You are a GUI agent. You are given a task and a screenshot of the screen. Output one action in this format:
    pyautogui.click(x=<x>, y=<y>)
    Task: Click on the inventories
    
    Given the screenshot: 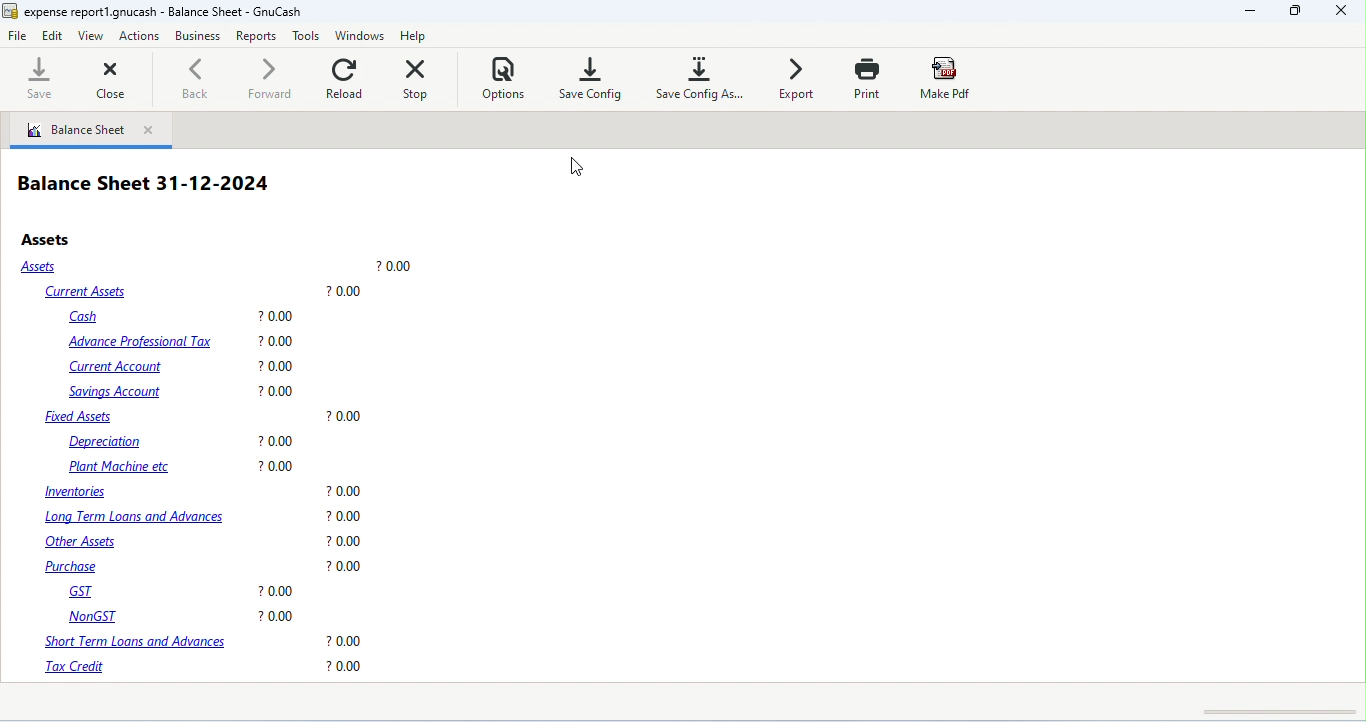 What is the action you would take?
    pyautogui.click(x=202, y=493)
    